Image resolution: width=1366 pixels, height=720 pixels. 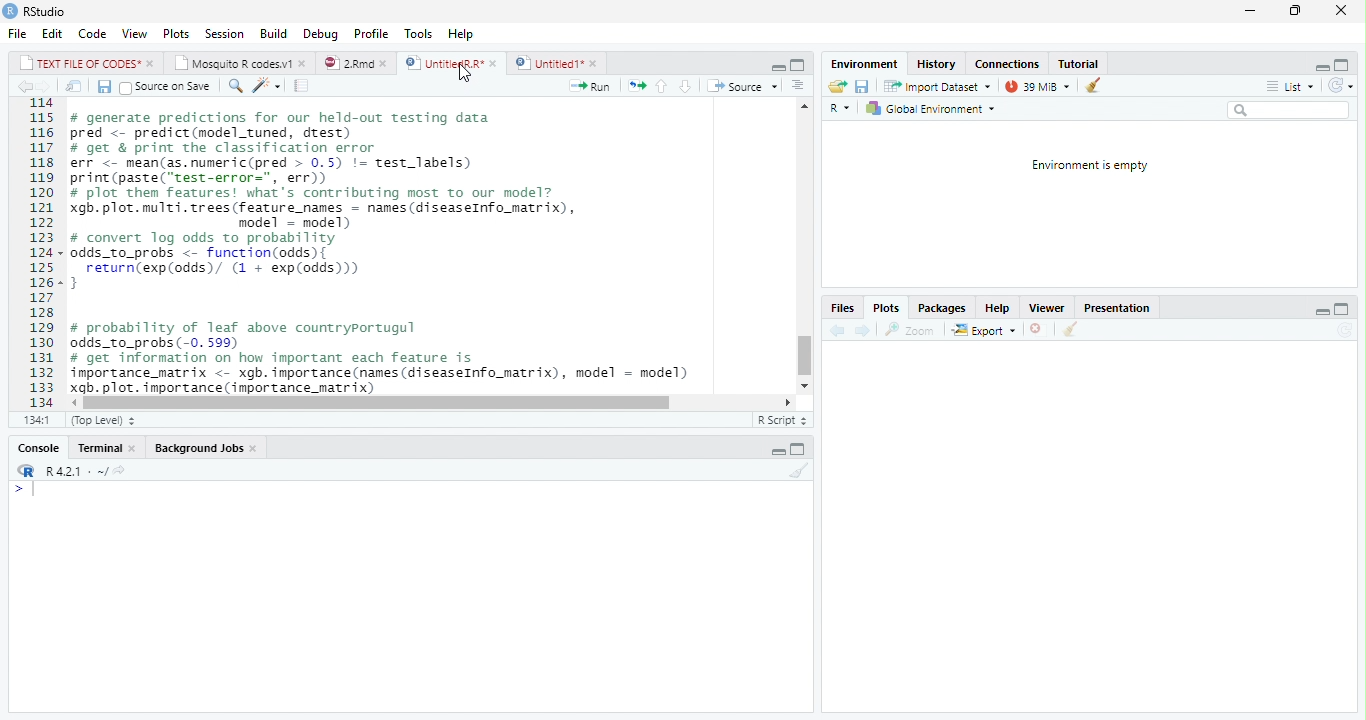 I want to click on Save, so click(x=863, y=85).